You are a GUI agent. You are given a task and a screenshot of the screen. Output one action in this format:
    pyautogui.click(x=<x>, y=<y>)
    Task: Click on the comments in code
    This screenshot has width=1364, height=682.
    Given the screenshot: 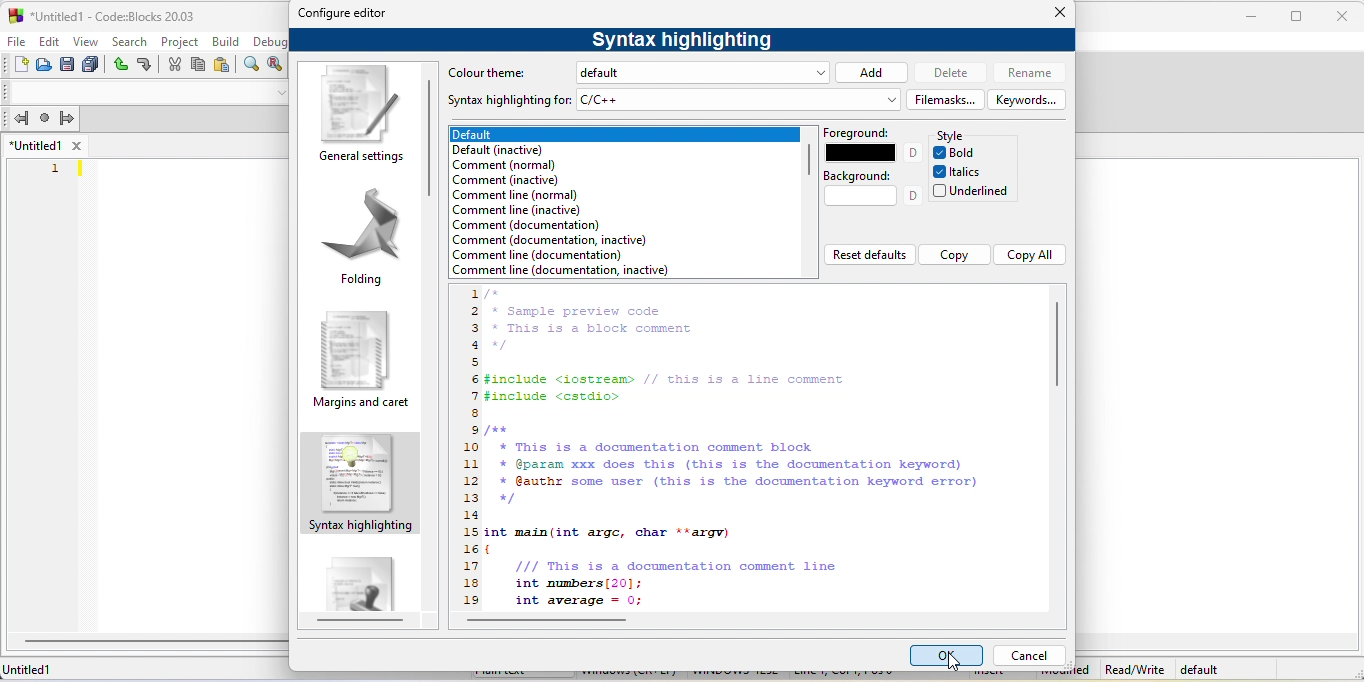 What is the action you would take?
    pyautogui.click(x=589, y=321)
    